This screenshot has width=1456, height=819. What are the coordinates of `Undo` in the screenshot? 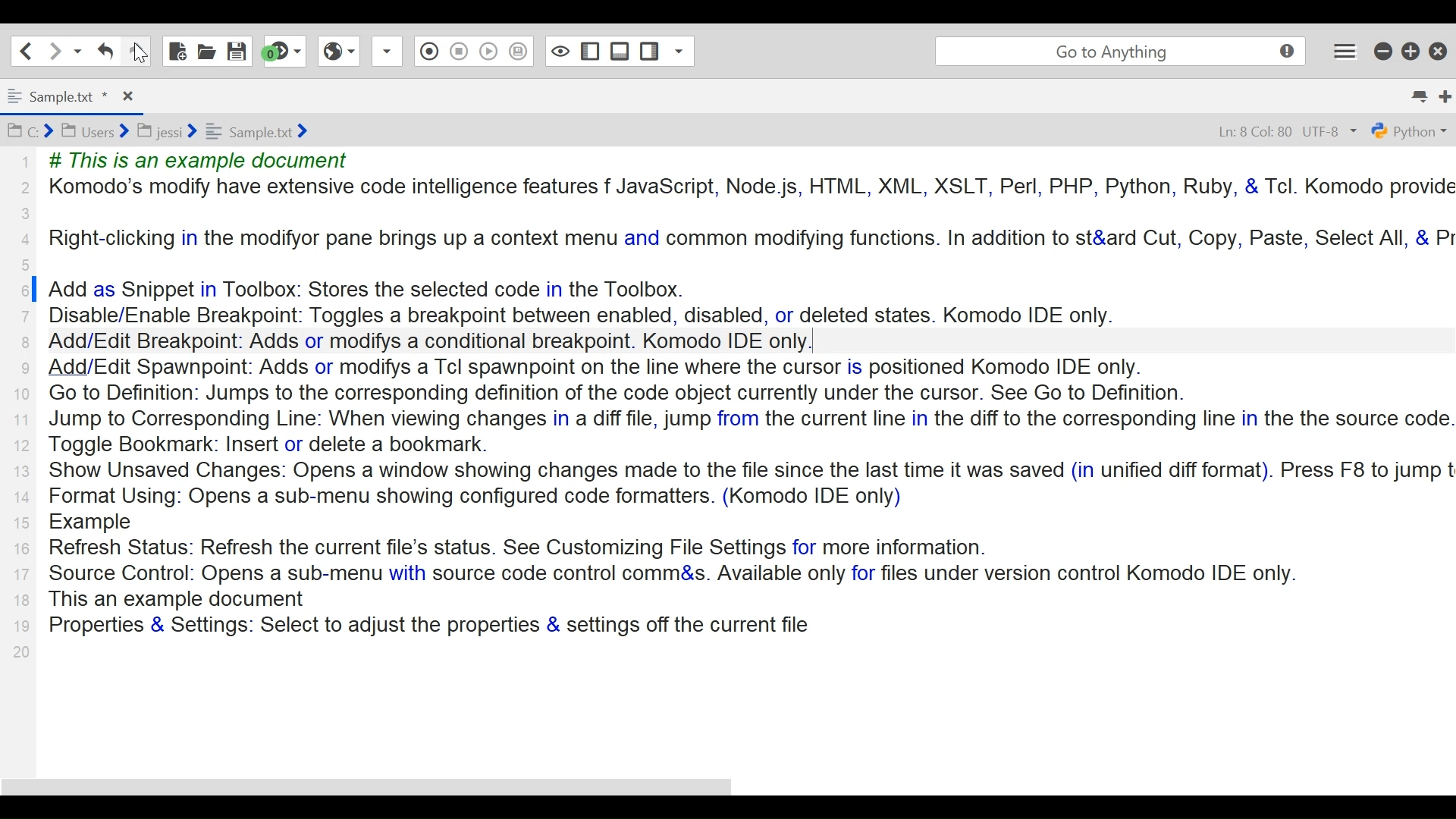 It's located at (135, 51).